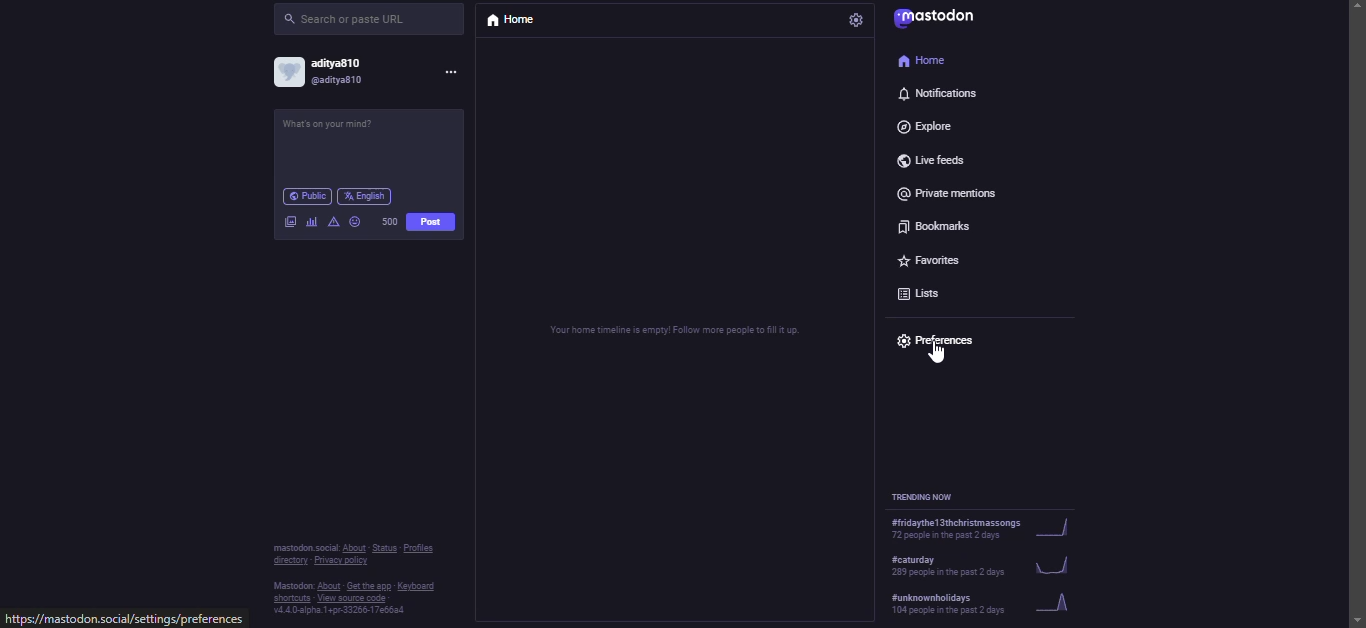 The image size is (1366, 628). What do you see at coordinates (944, 339) in the screenshot?
I see `preferences` at bounding box center [944, 339].